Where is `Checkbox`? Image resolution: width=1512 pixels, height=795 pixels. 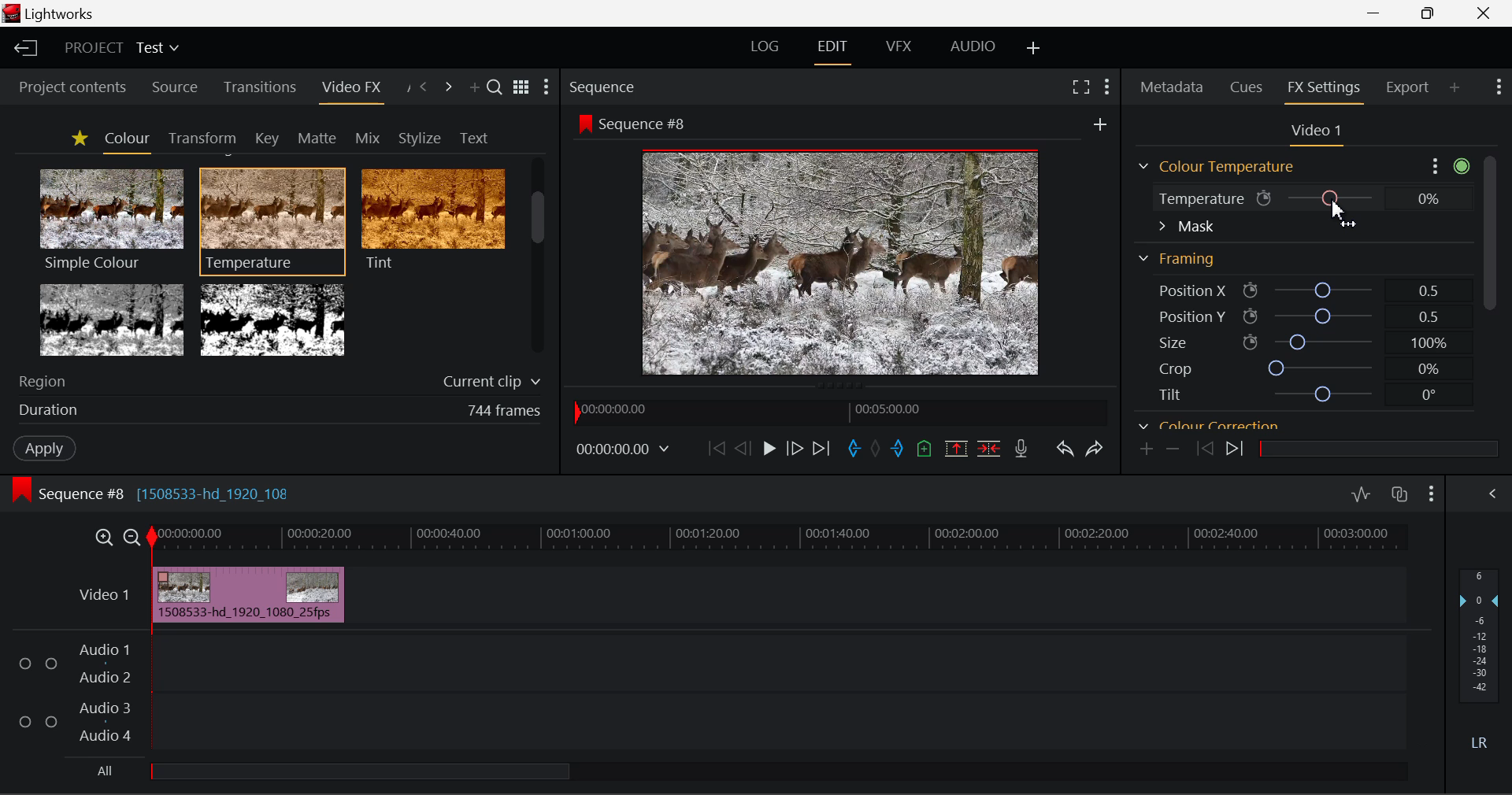
Checkbox is located at coordinates (52, 663).